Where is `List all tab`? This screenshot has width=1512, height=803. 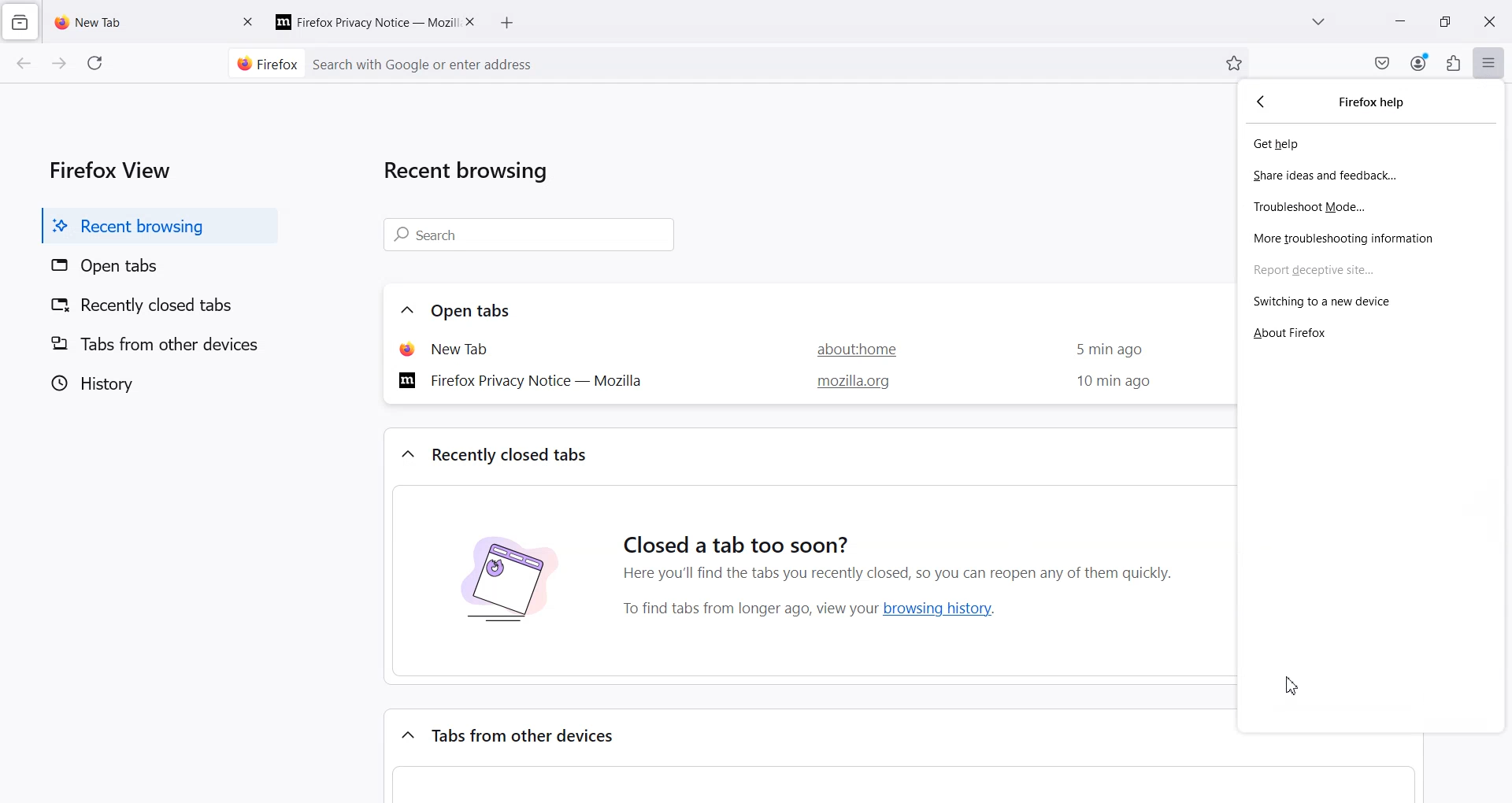
List all tab is located at coordinates (1319, 23).